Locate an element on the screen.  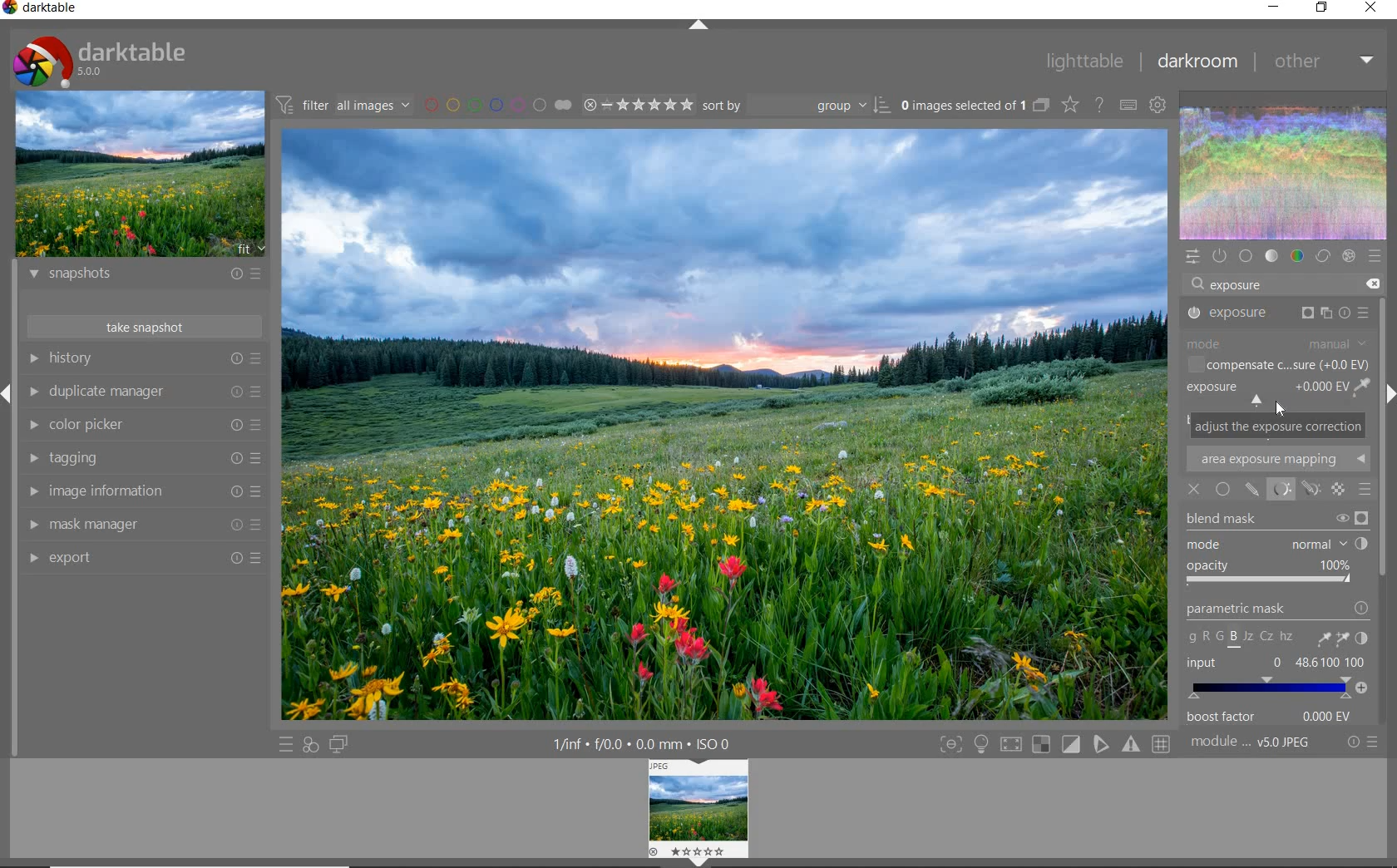
display a second darkroom image below is located at coordinates (342, 744).